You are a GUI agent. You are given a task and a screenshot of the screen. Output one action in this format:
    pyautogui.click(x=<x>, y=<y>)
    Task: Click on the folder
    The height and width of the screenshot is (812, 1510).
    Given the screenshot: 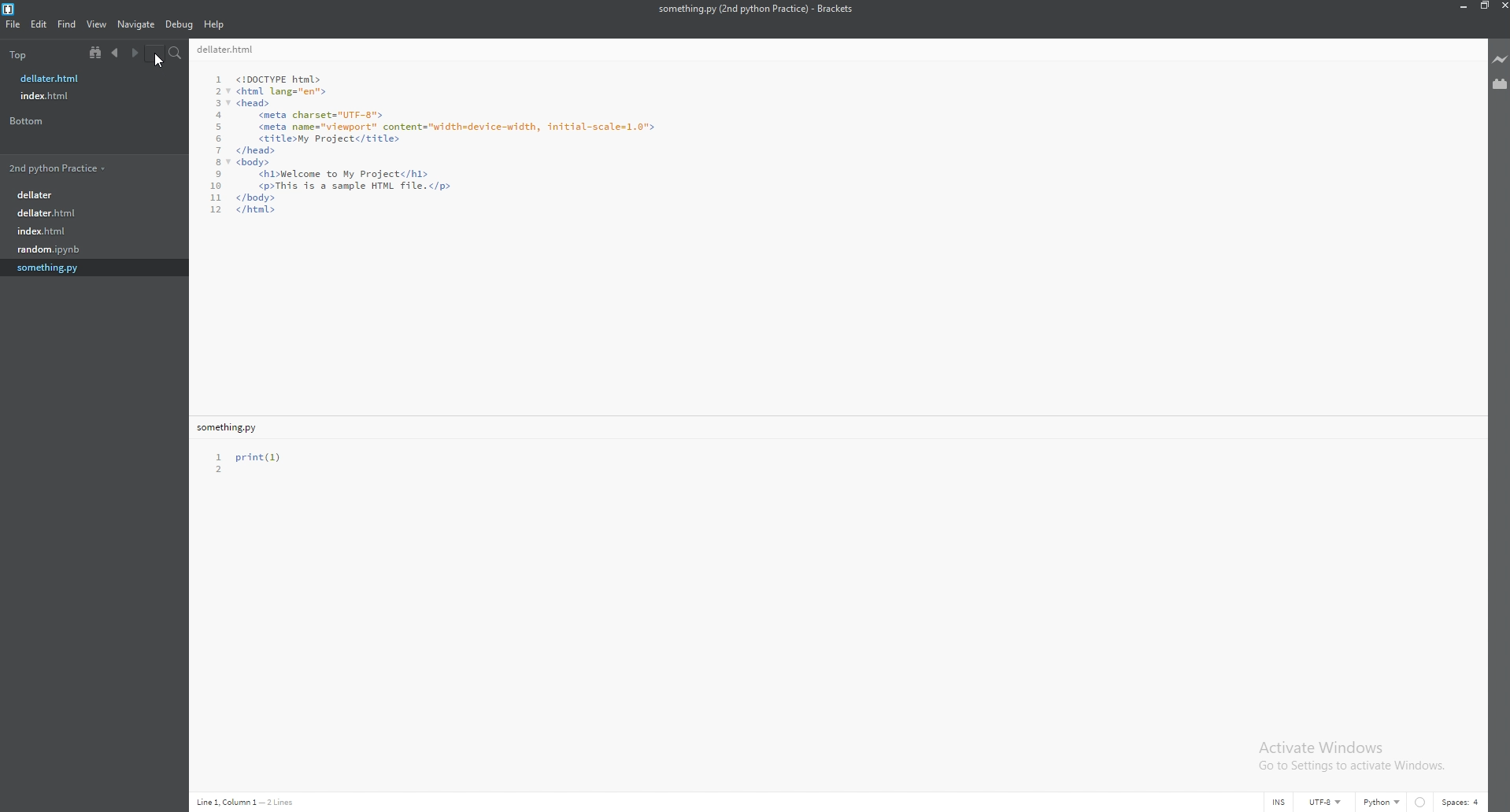 What is the action you would take?
    pyautogui.click(x=94, y=167)
    